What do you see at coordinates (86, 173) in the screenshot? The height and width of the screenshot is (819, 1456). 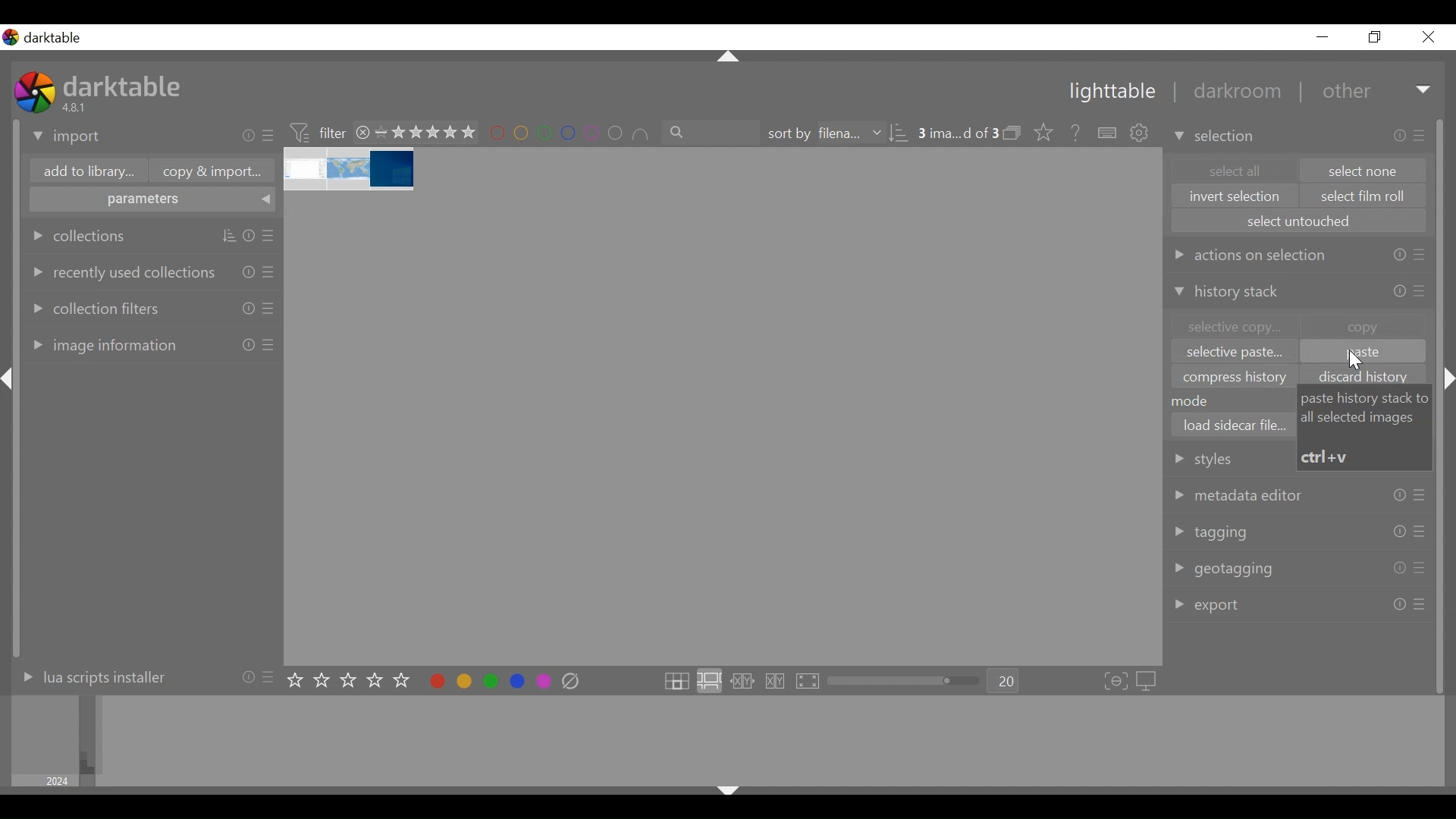 I see `add to library` at bounding box center [86, 173].